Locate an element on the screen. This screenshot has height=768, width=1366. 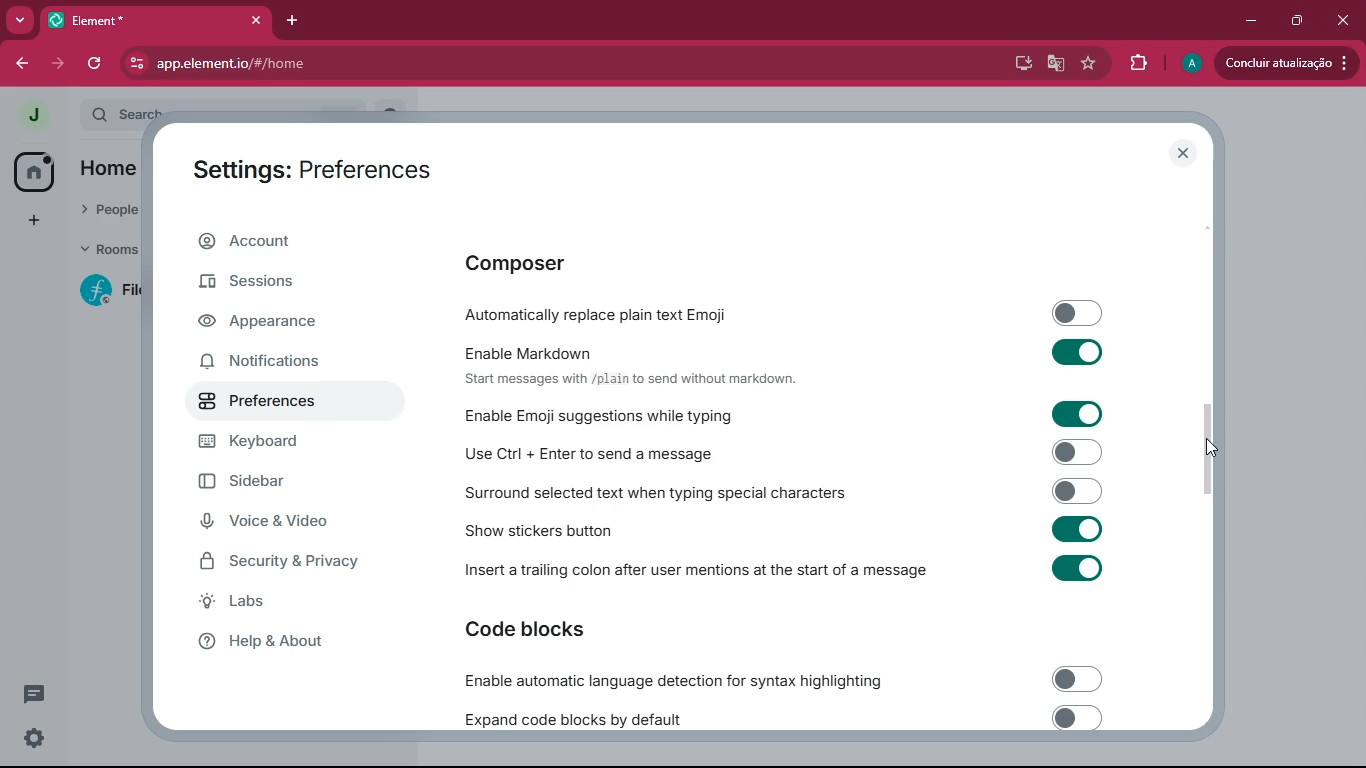
sidebar is located at coordinates (275, 483).